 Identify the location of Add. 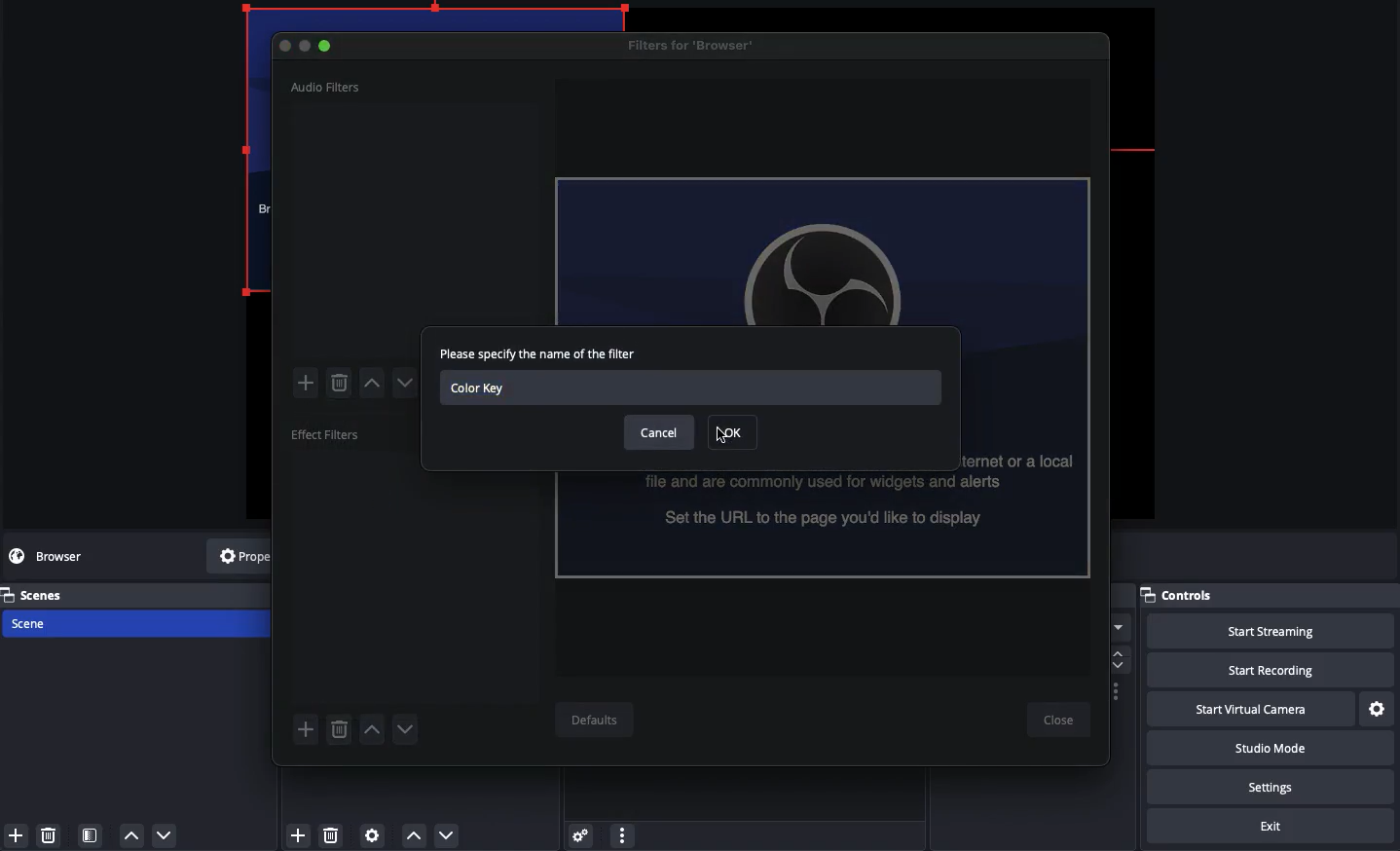
(299, 834).